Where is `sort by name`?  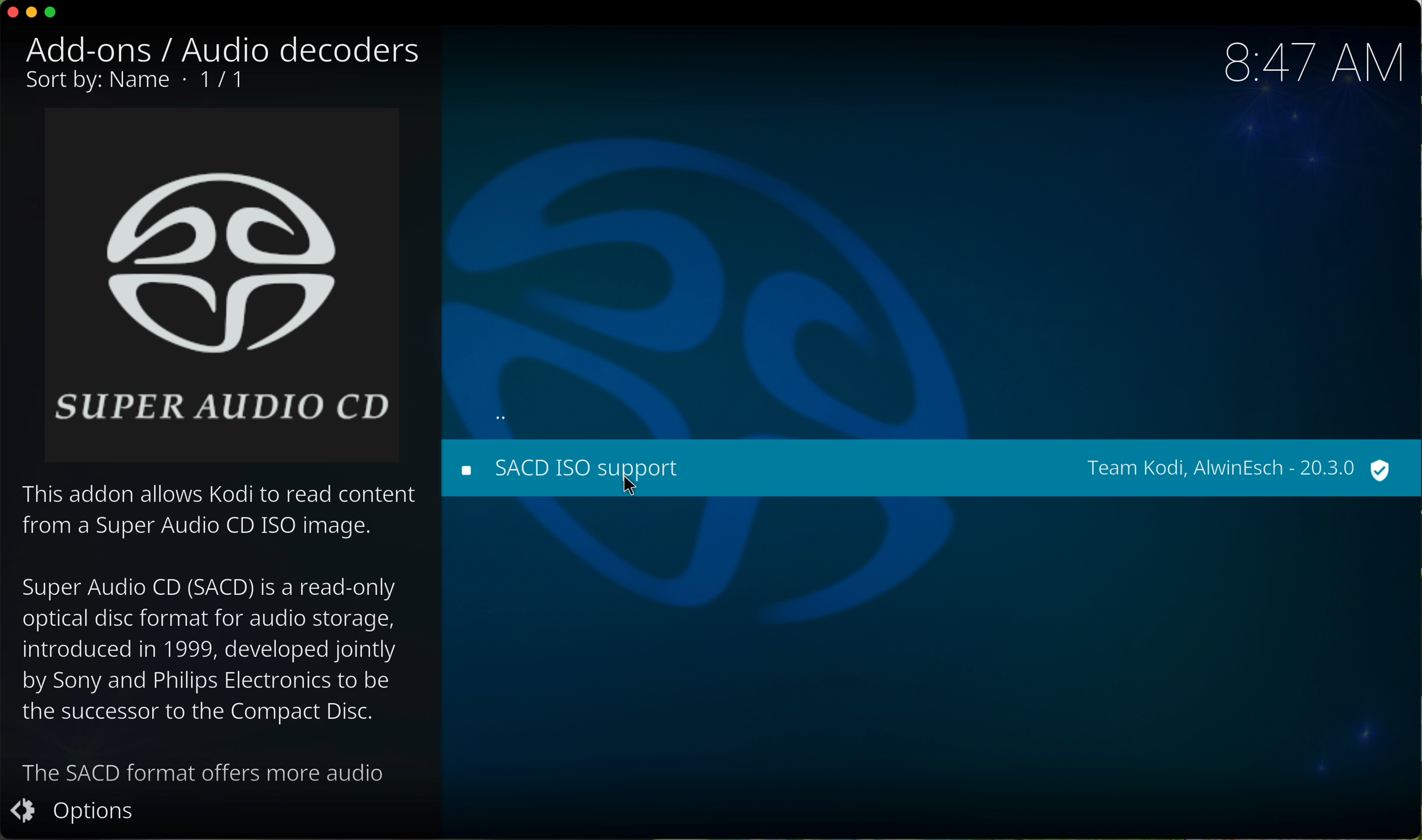 sort by name is located at coordinates (103, 82).